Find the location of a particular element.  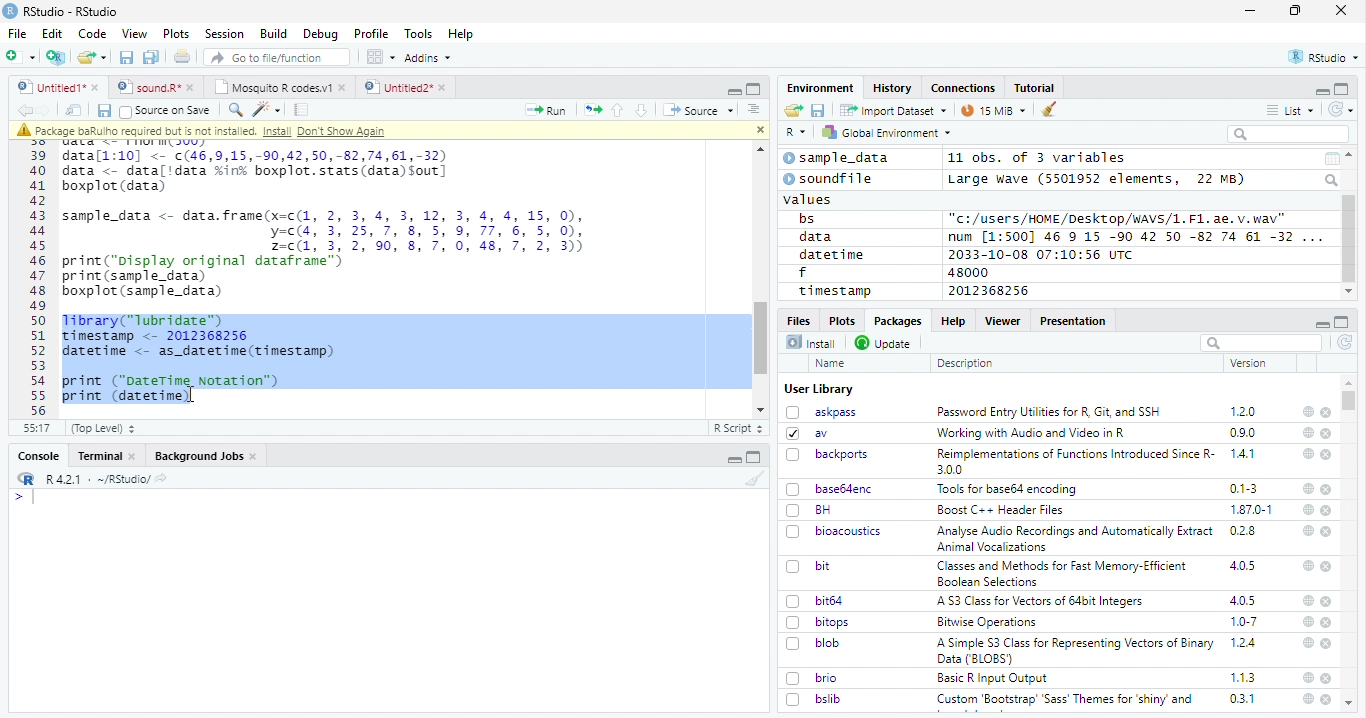

Calendar is located at coordinates (1331, 159).